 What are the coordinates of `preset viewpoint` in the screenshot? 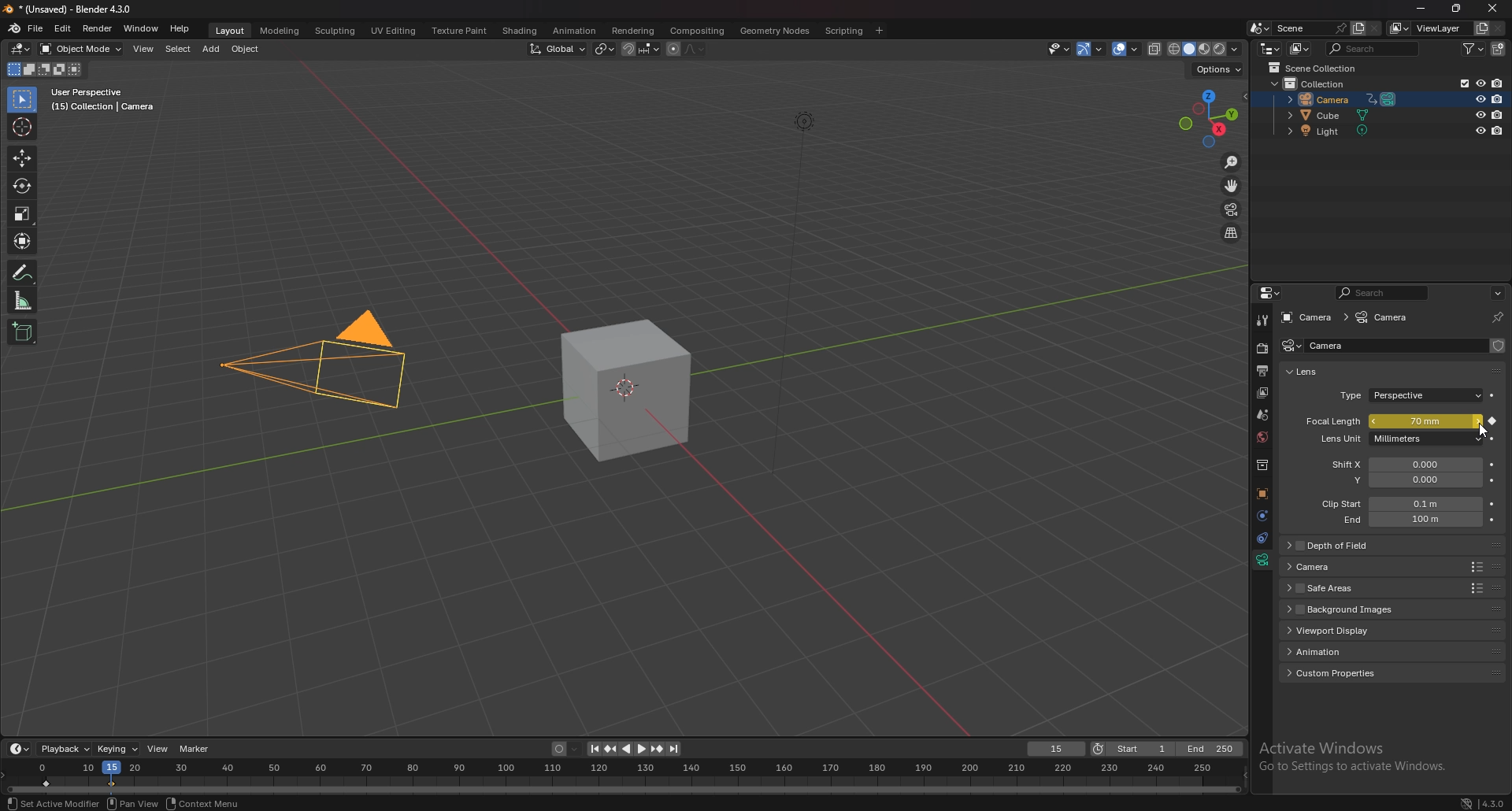 It's located at (1208, 118).